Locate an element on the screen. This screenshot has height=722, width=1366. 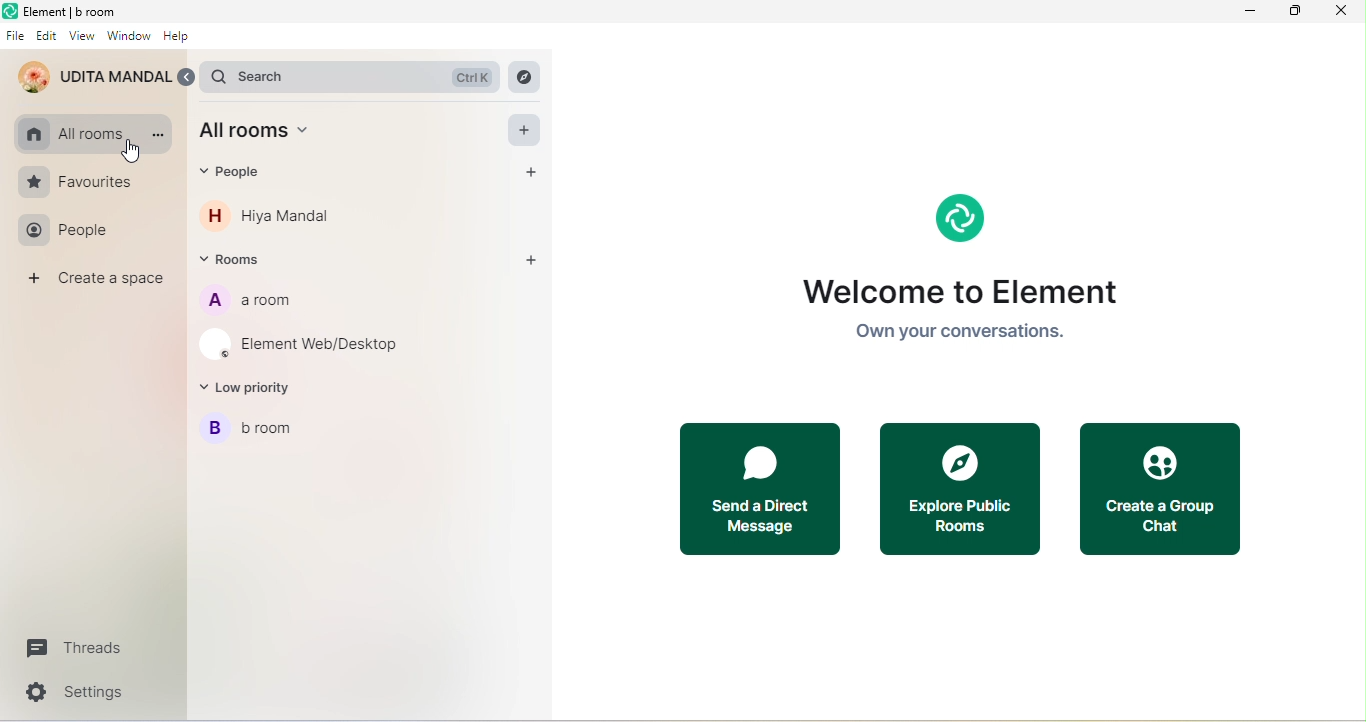
hiya mandal is located at coordinates (289, 216).